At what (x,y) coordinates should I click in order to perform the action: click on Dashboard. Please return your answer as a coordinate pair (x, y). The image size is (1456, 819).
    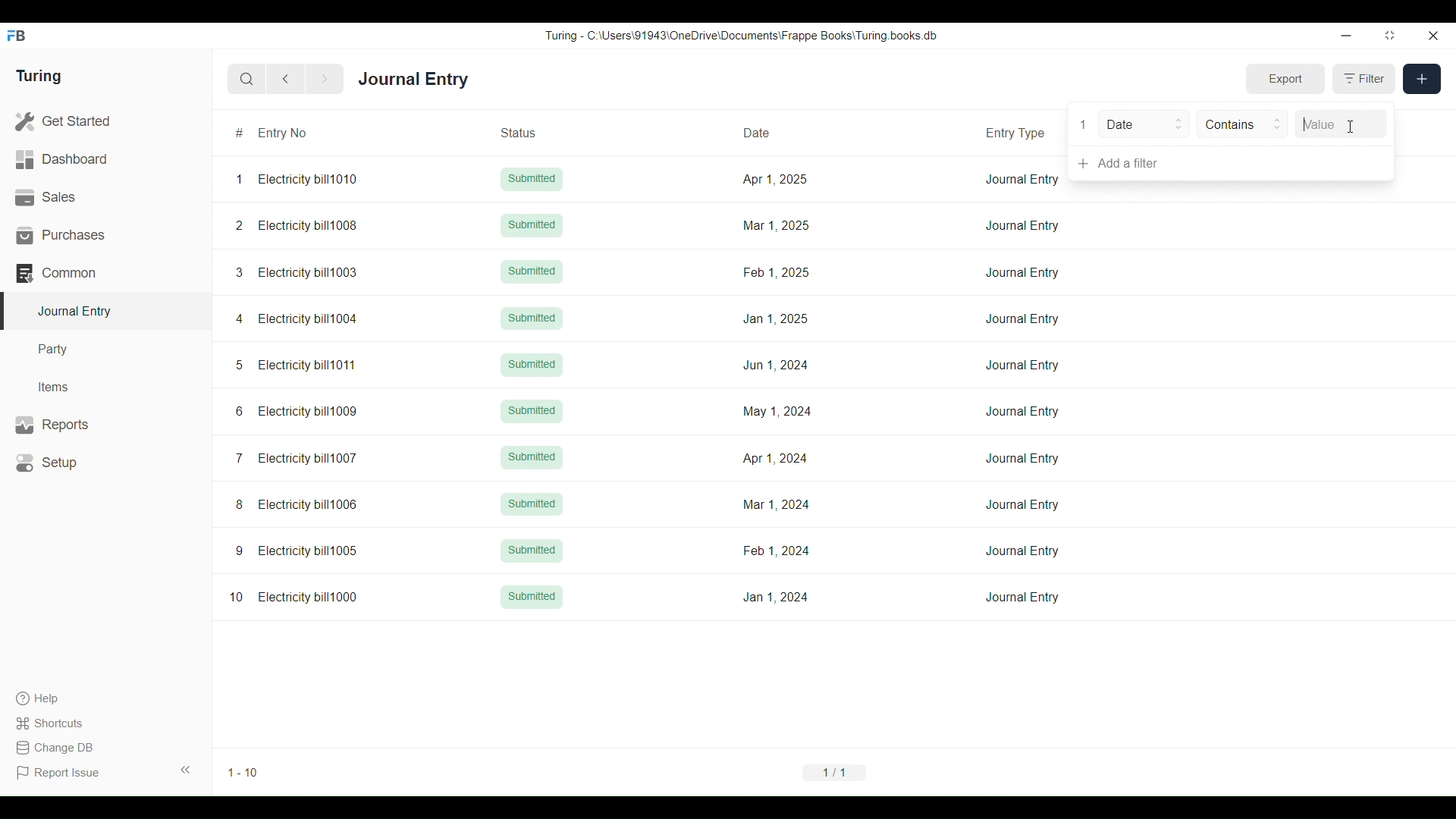
    Looking at the image, I should click on (105, 159).